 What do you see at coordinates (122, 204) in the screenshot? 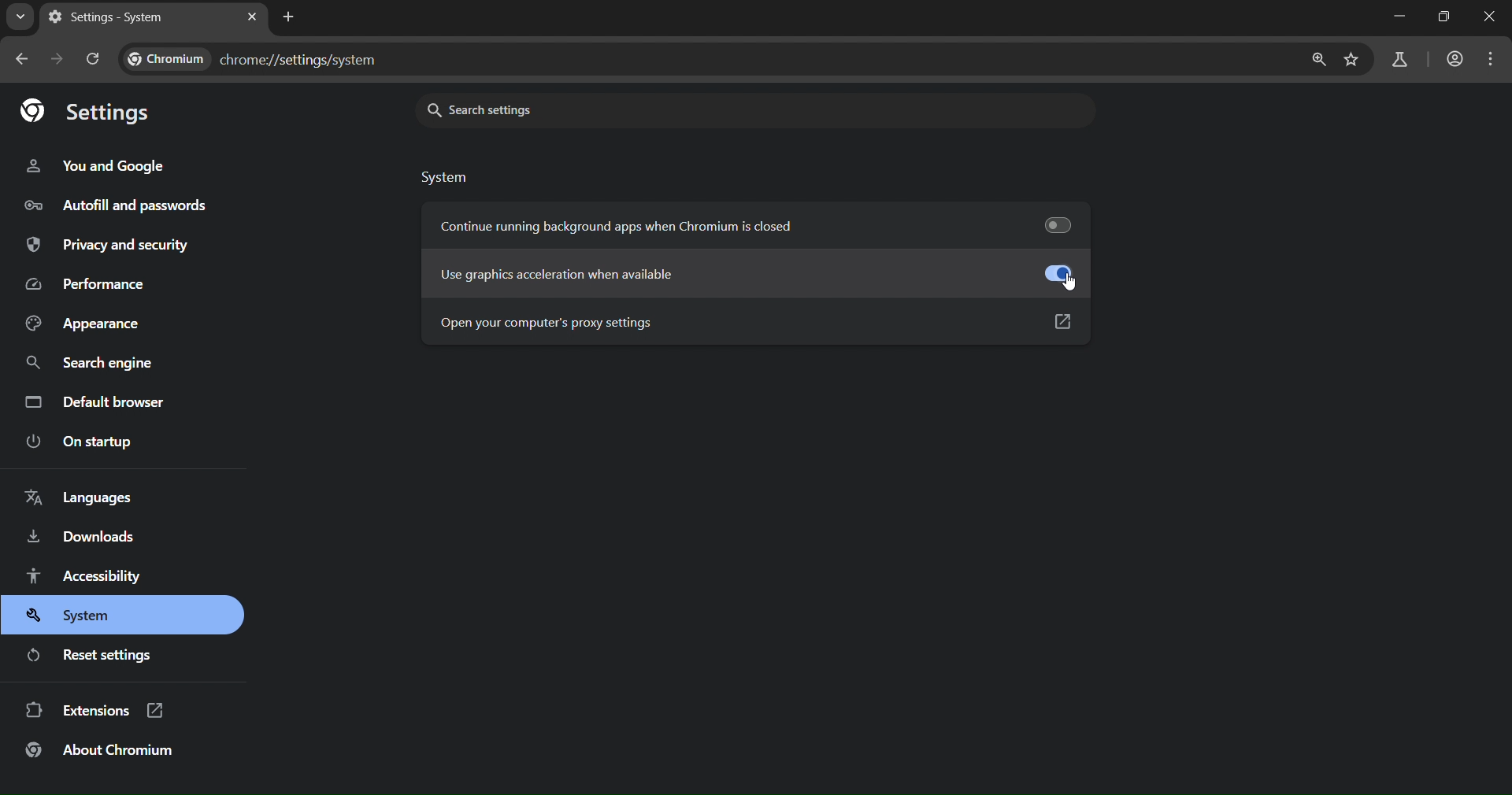
I see `autofill and passwords` at bounding box center [122, 204].